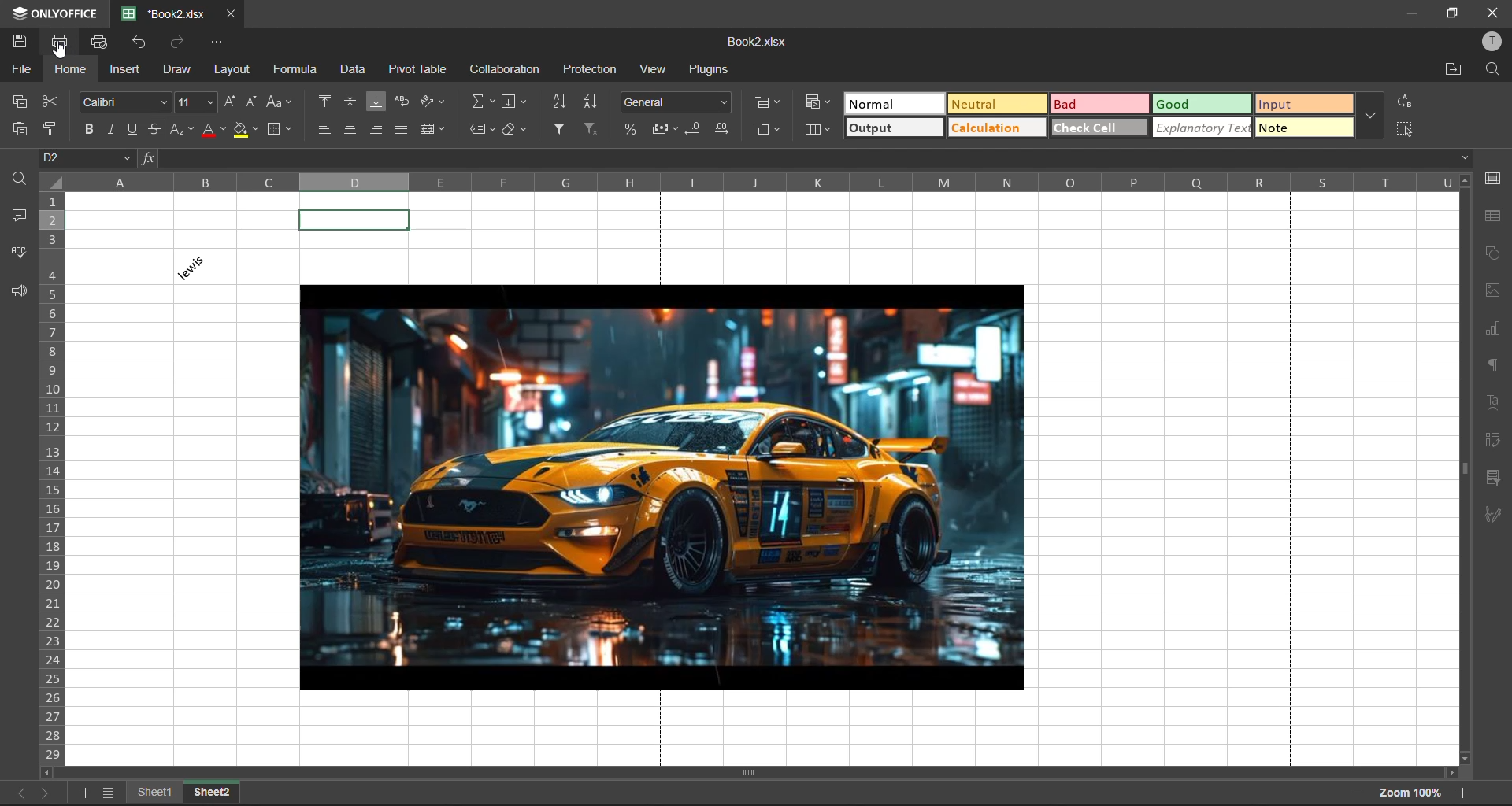  What do you see at coordinates (20, 792) in the screenshot?
I see `previous` at bounding box center [20, 792].